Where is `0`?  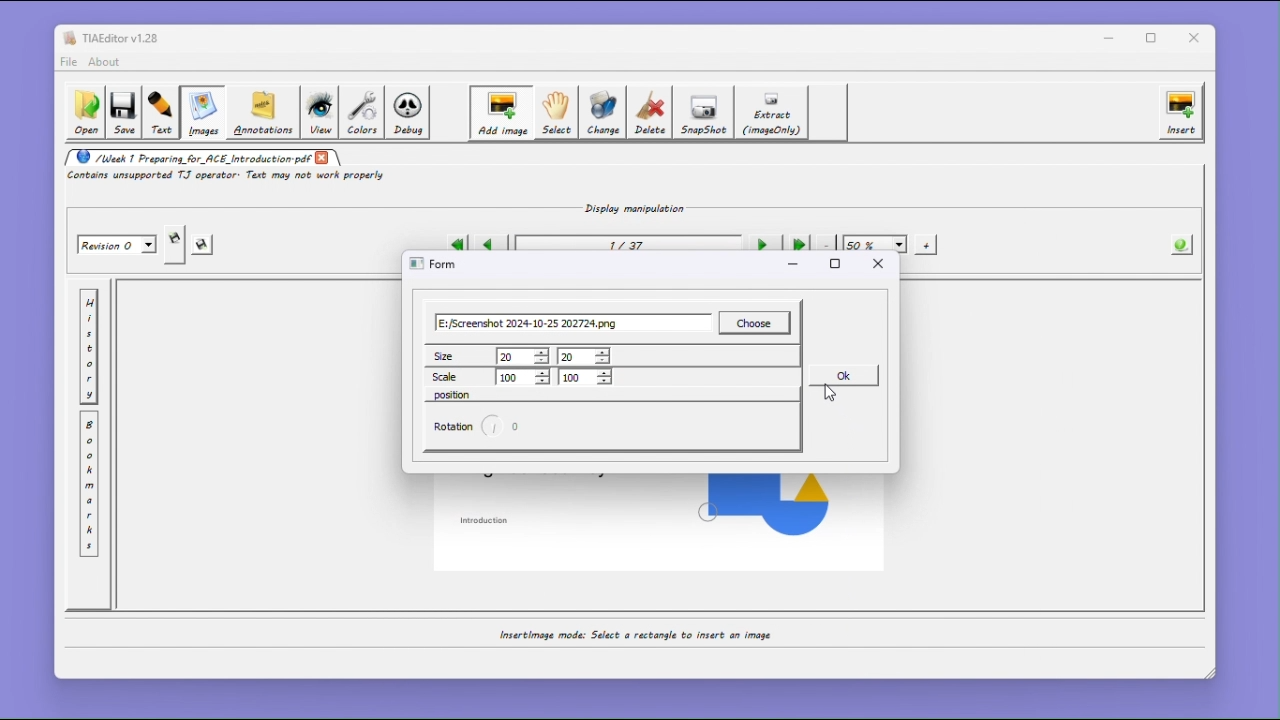
0 is located at coordinates (516, 427).